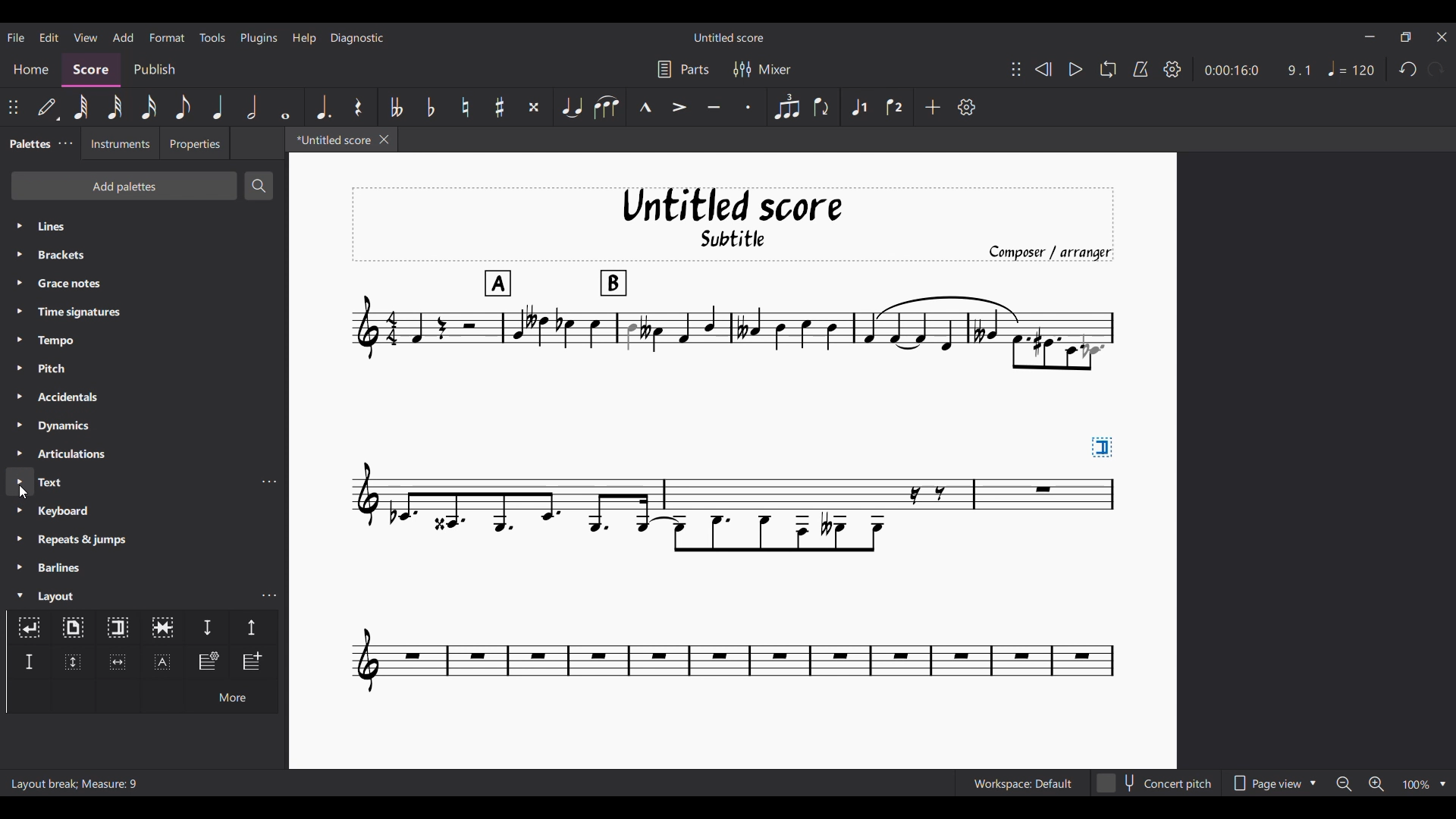  What do you see at coordinates (30, 70) in the screenshot?
I see `Home section` at bounding box center [30, 70].